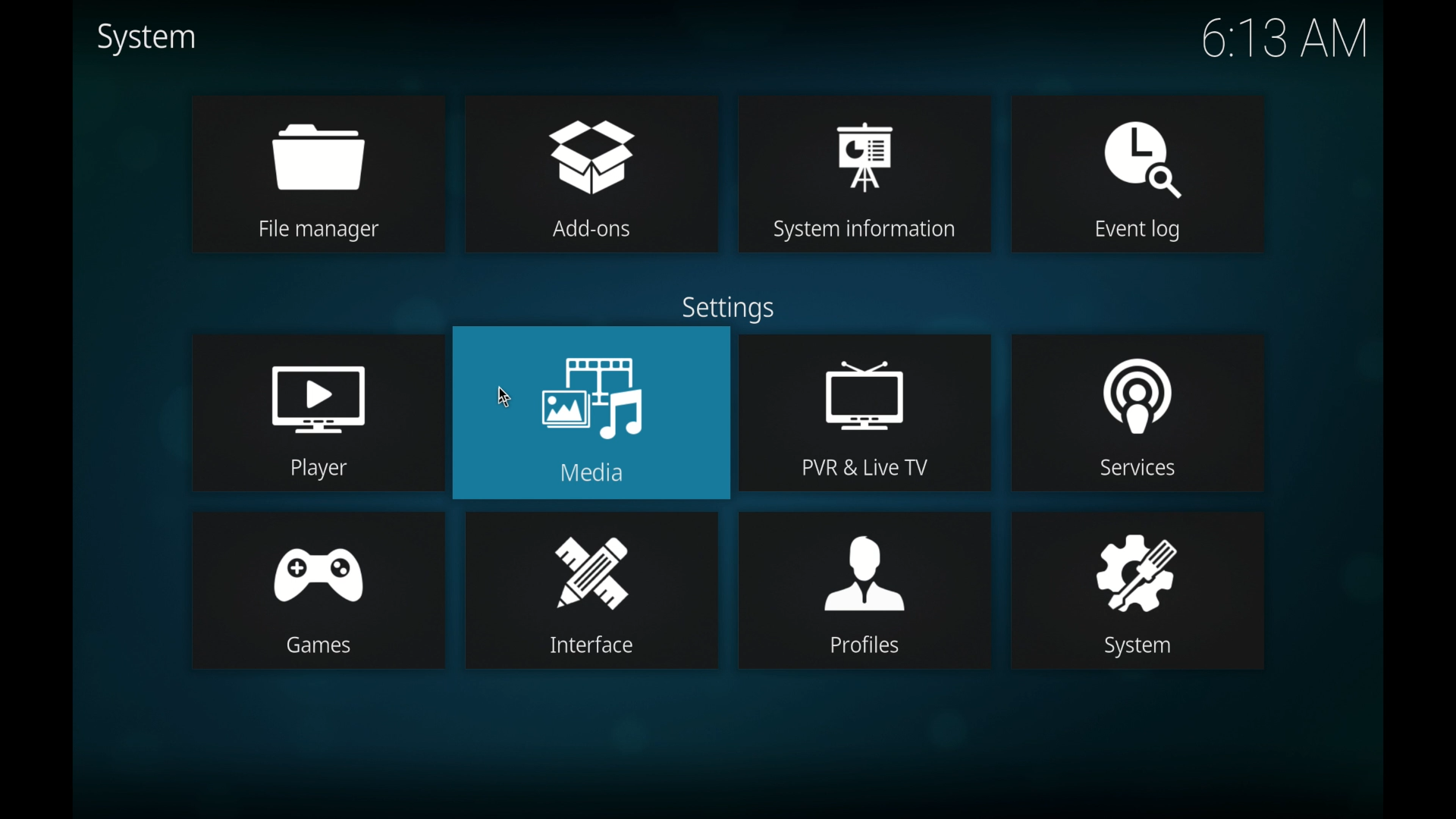 The image size is (1456, 819). What do you see at coordinates (592, 175) in the screenshot?
I see `add-ons` at bounding box center [592, 175].